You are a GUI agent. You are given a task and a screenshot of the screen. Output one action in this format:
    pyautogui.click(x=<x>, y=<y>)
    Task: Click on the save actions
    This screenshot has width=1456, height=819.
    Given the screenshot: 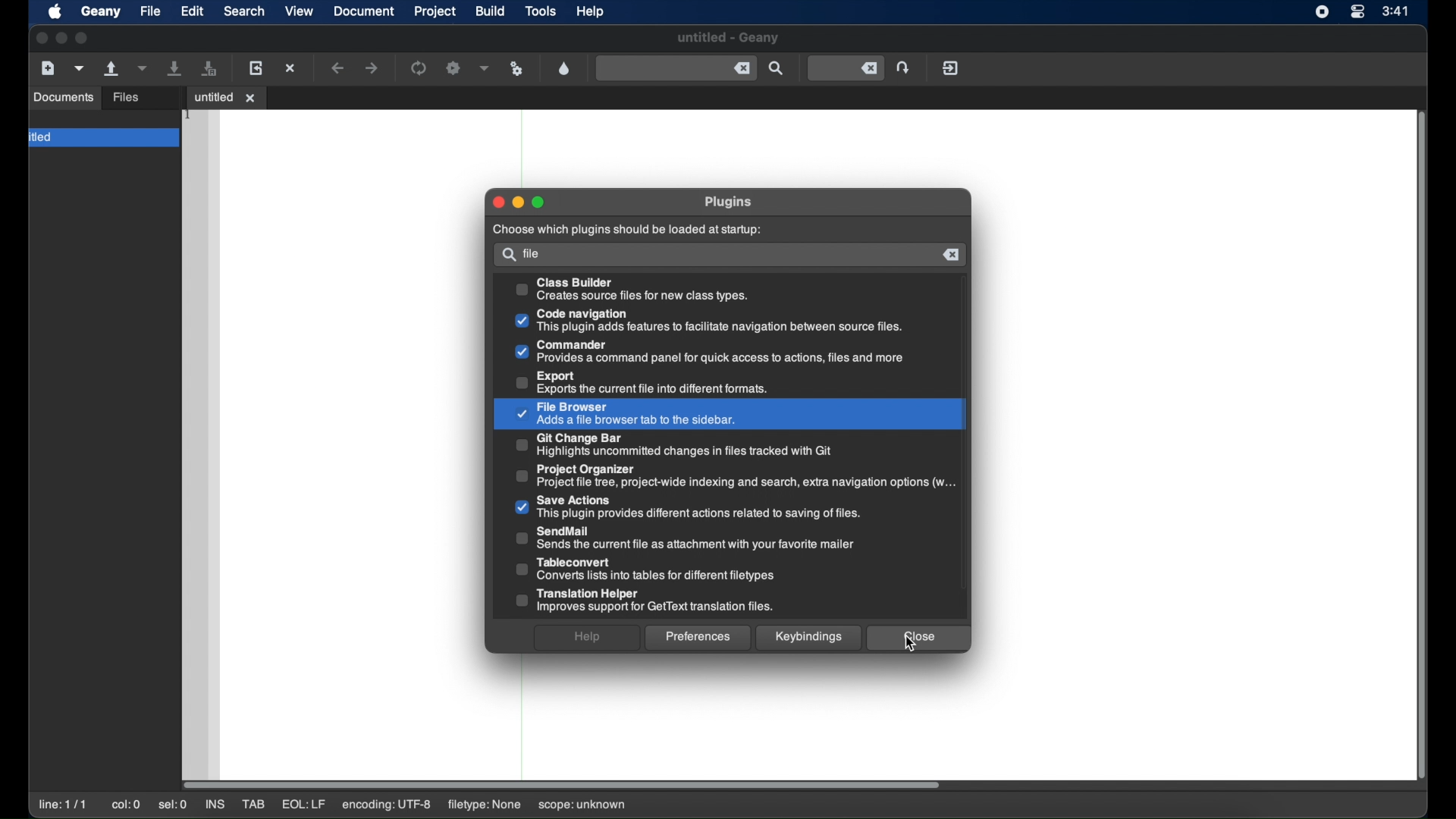 What is the action you would take?
    pyautogui.click(x=690, y=507)
    